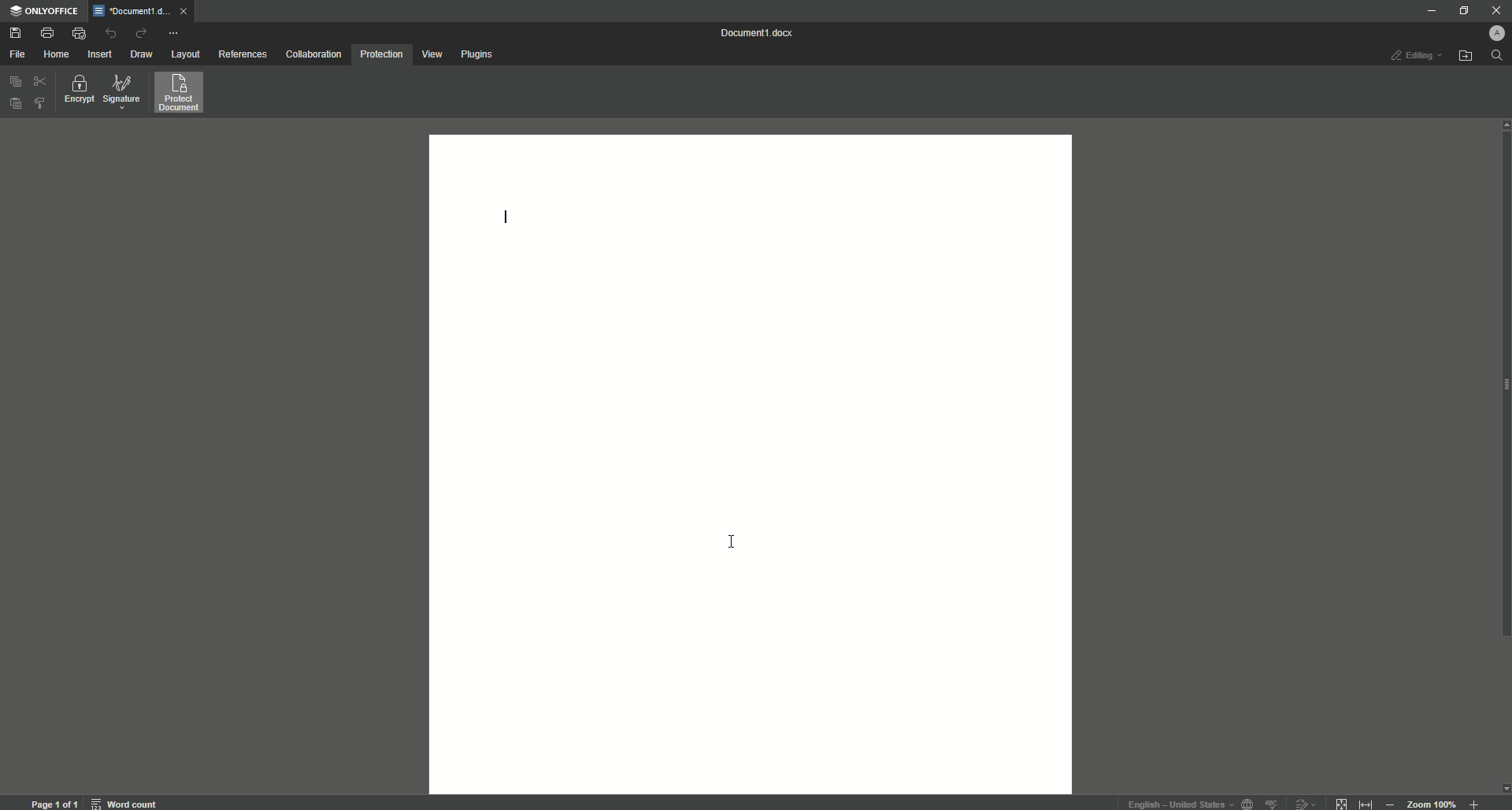  Describe the element at coordinates (140, 32) in the screenshot. I see `Redo` at that location.